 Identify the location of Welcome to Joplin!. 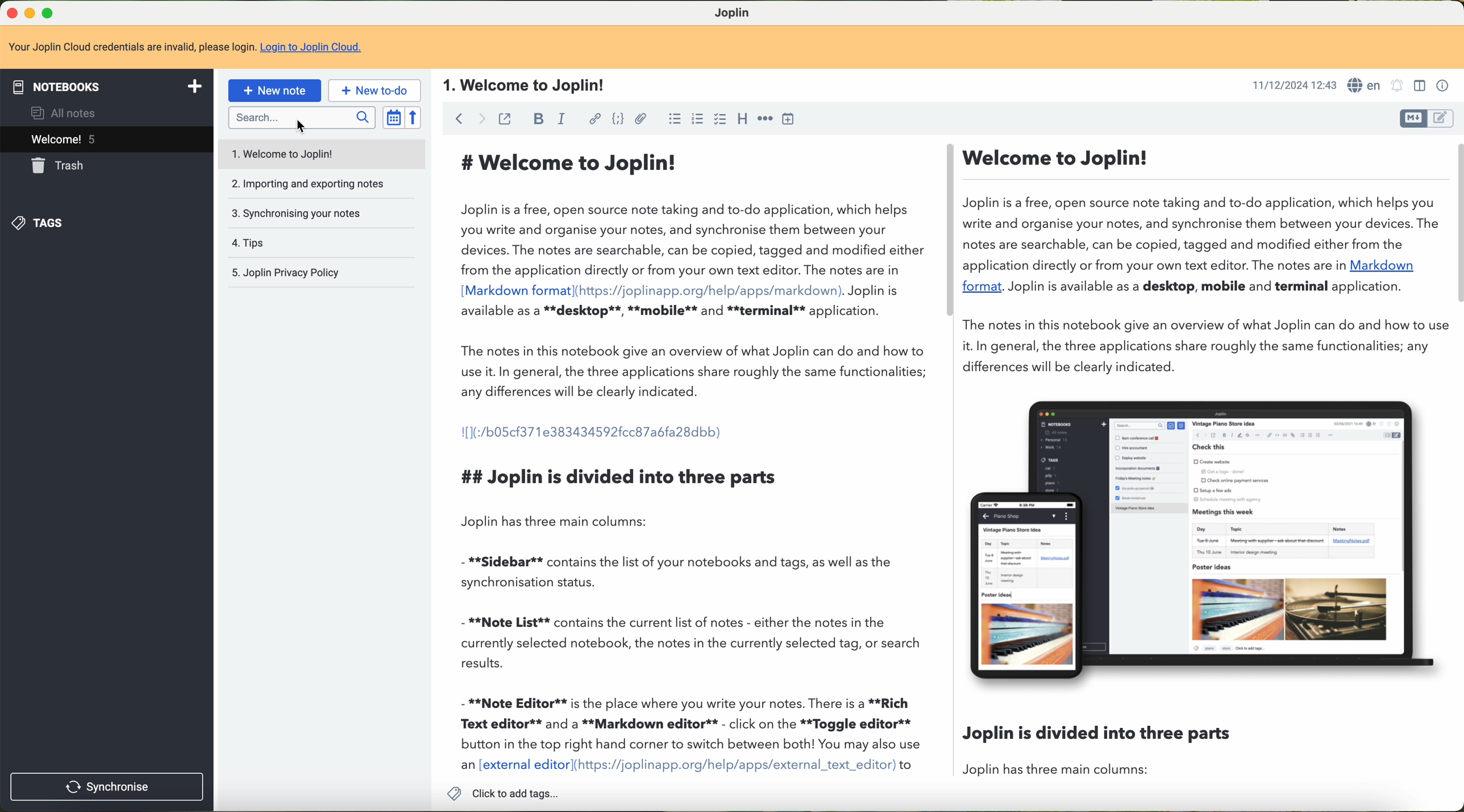
(521, 86).